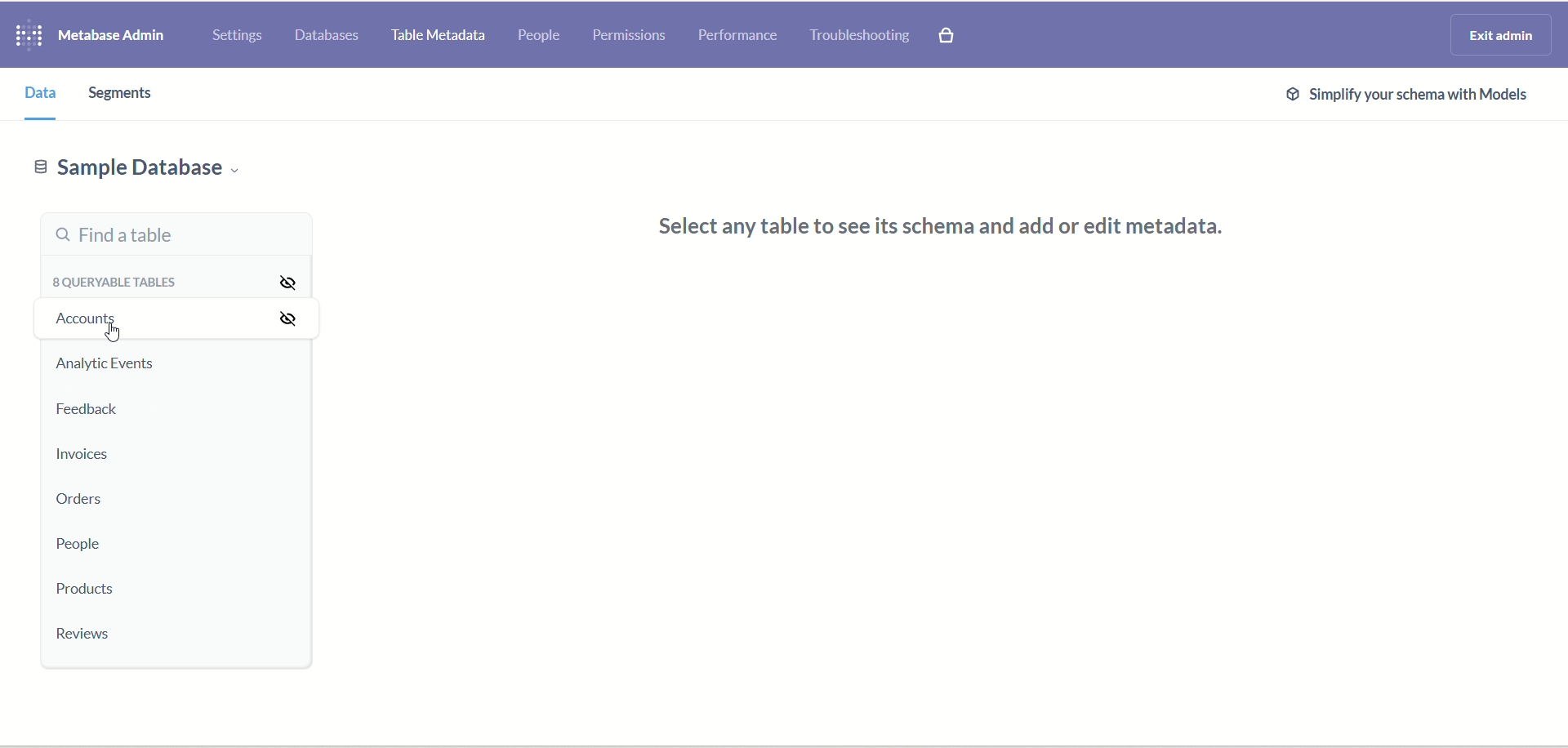 The height and width of the screenshot is (748, 1568). I want to click on orders, so click(84, 501).